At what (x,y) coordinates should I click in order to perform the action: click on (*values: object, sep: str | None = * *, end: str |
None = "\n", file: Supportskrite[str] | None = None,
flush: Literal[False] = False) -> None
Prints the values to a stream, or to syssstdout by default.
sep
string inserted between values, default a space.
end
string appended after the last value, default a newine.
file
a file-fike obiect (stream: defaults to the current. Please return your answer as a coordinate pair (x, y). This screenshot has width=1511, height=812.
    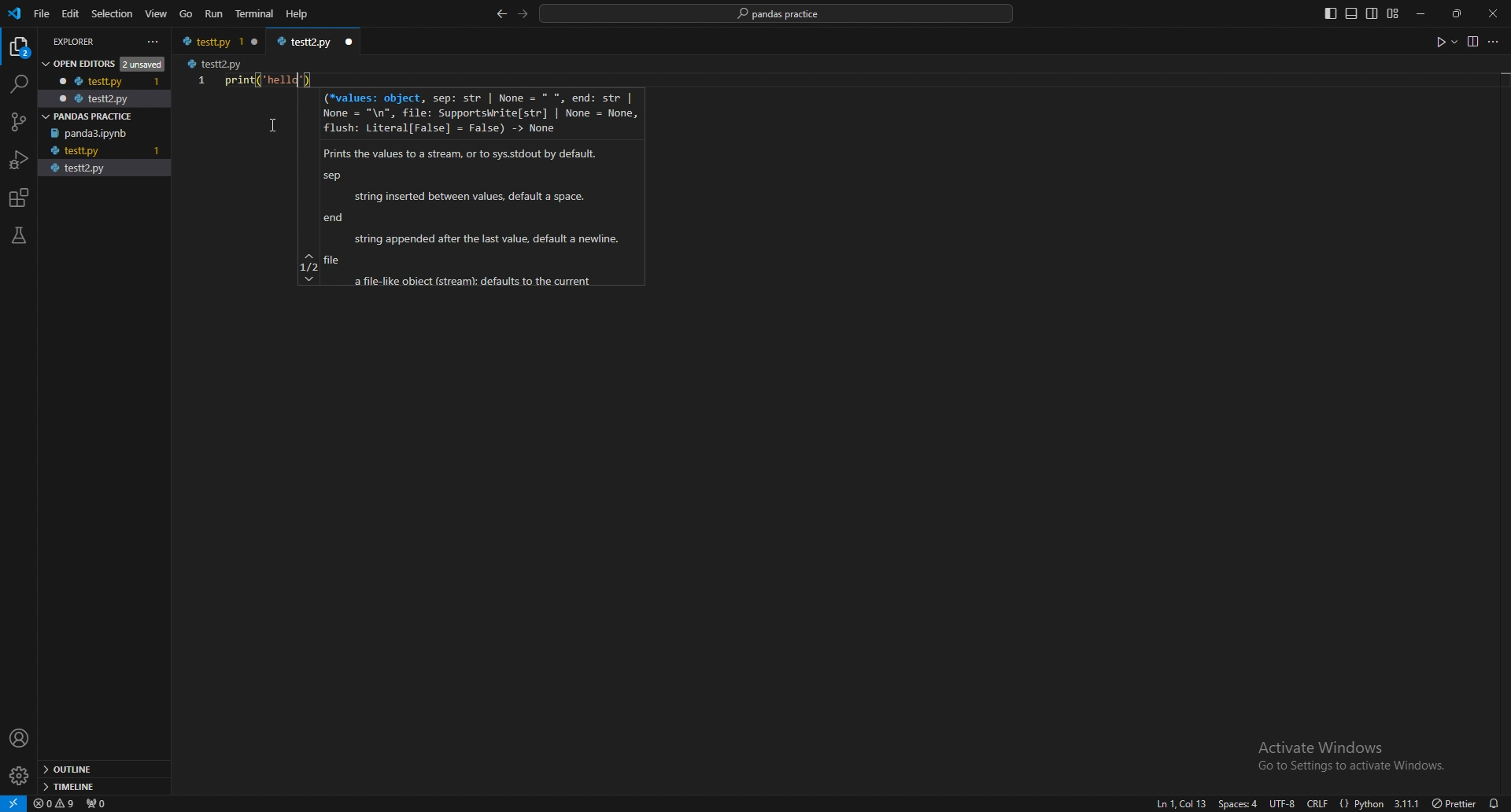
    Looking at the image, I should click on (472, 193).